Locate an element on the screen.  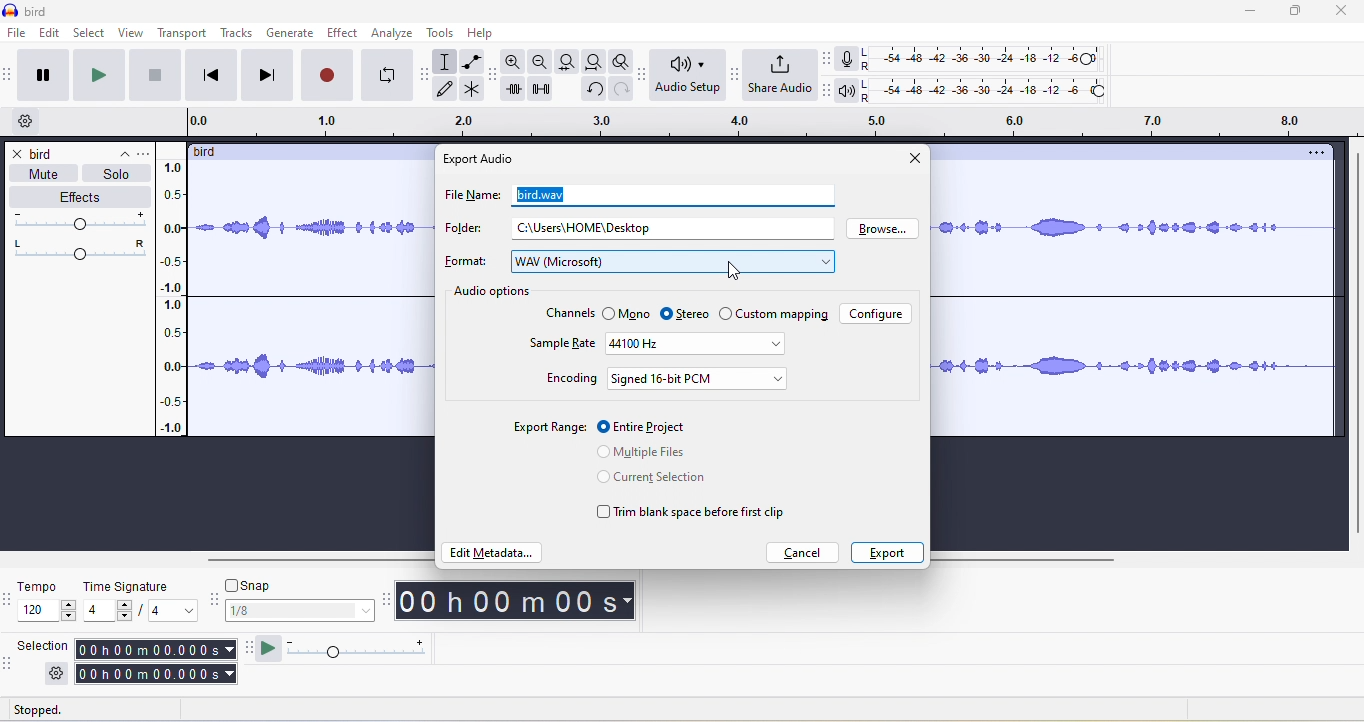
skip to end is located at coordinates (268, 75).